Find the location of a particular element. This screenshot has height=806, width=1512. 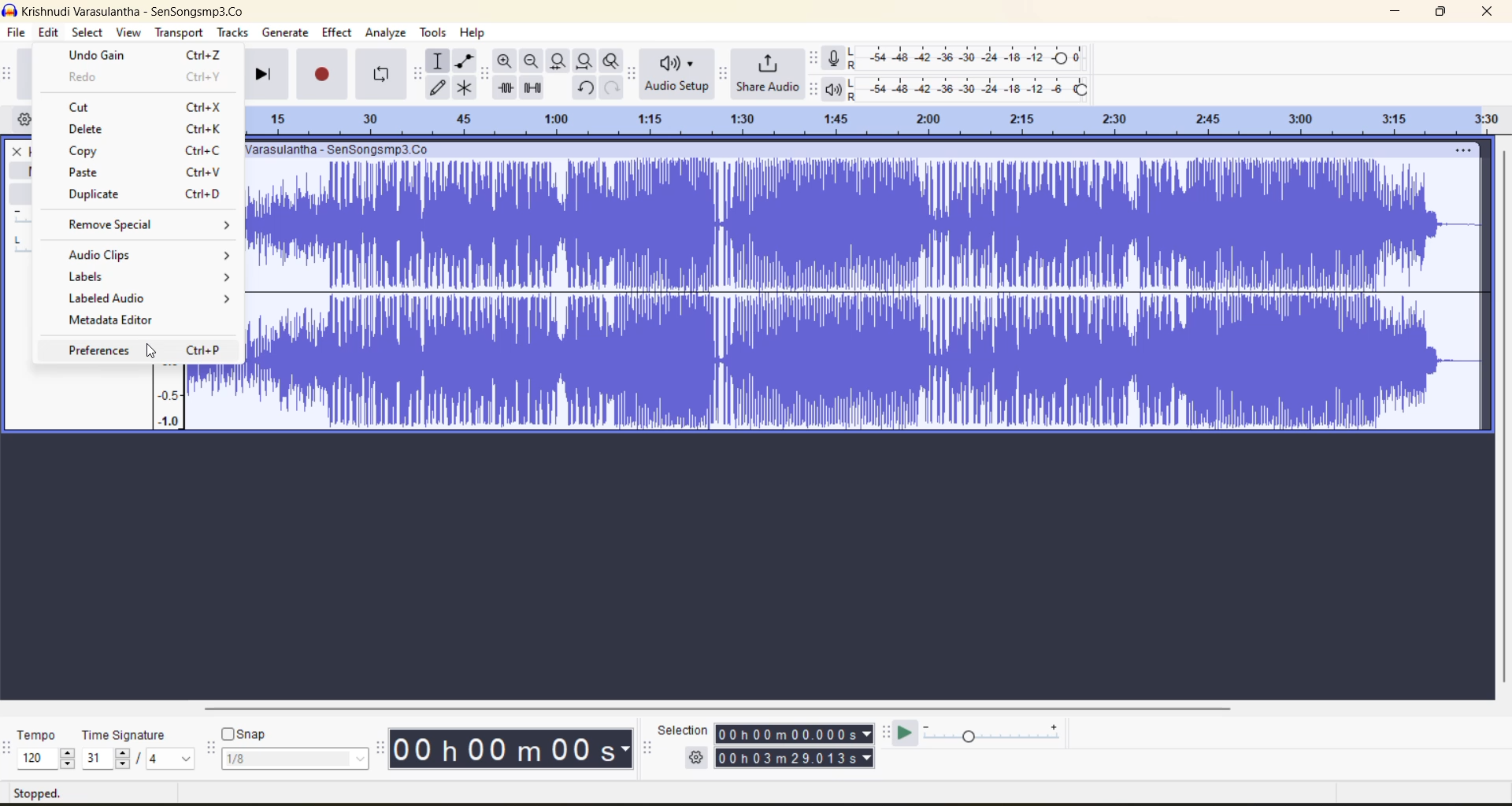

recording meter toolbar is located at coordinates (815, 58).